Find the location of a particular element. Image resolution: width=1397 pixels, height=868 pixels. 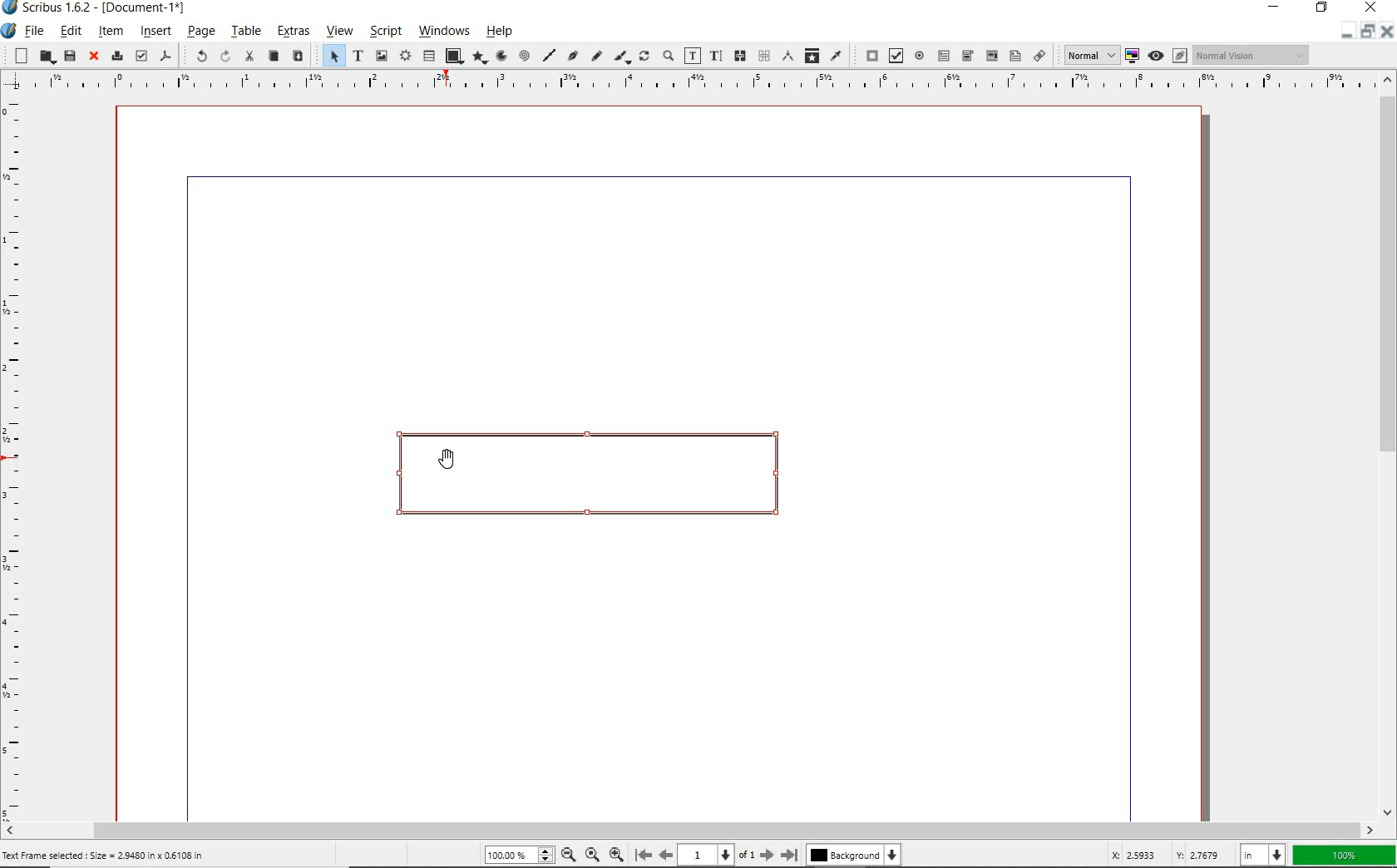

preflight verifier is located at coordinates (141, 57).